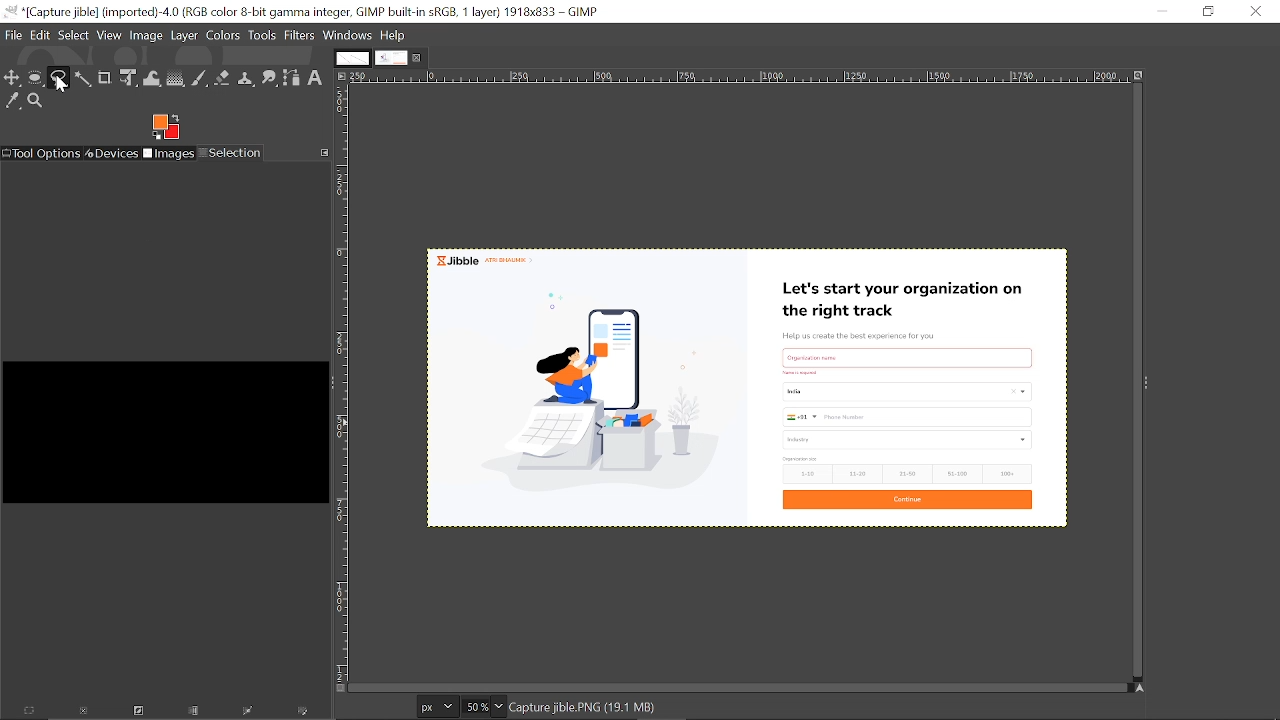 The height and width of the screenshot is (720, 1280). I want to click on Select everything, so click(30, 712).